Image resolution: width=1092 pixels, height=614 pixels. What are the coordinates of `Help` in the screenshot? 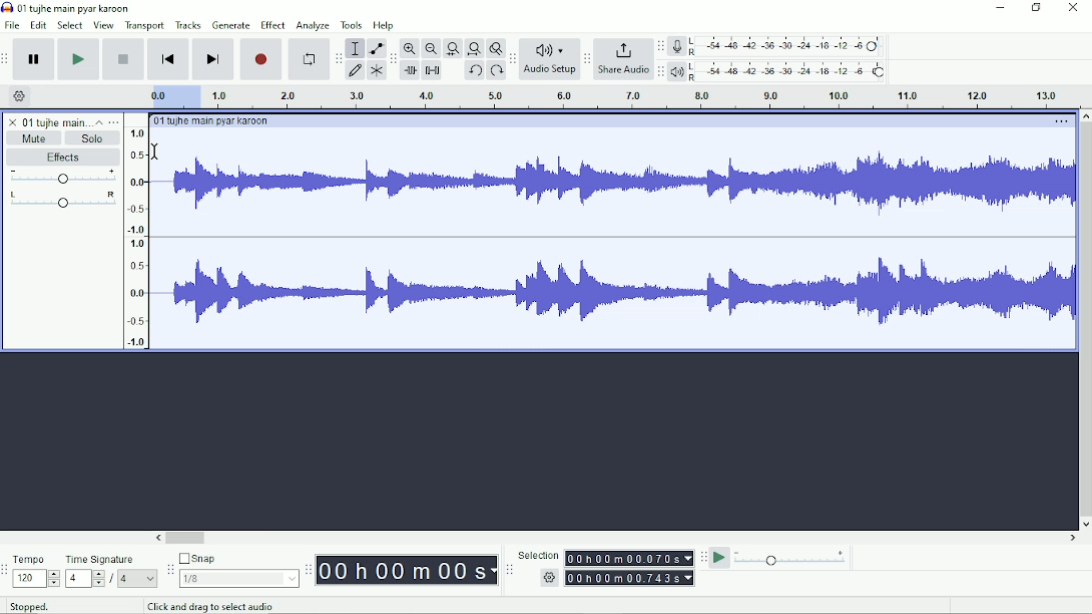 It's located at (385, 26).